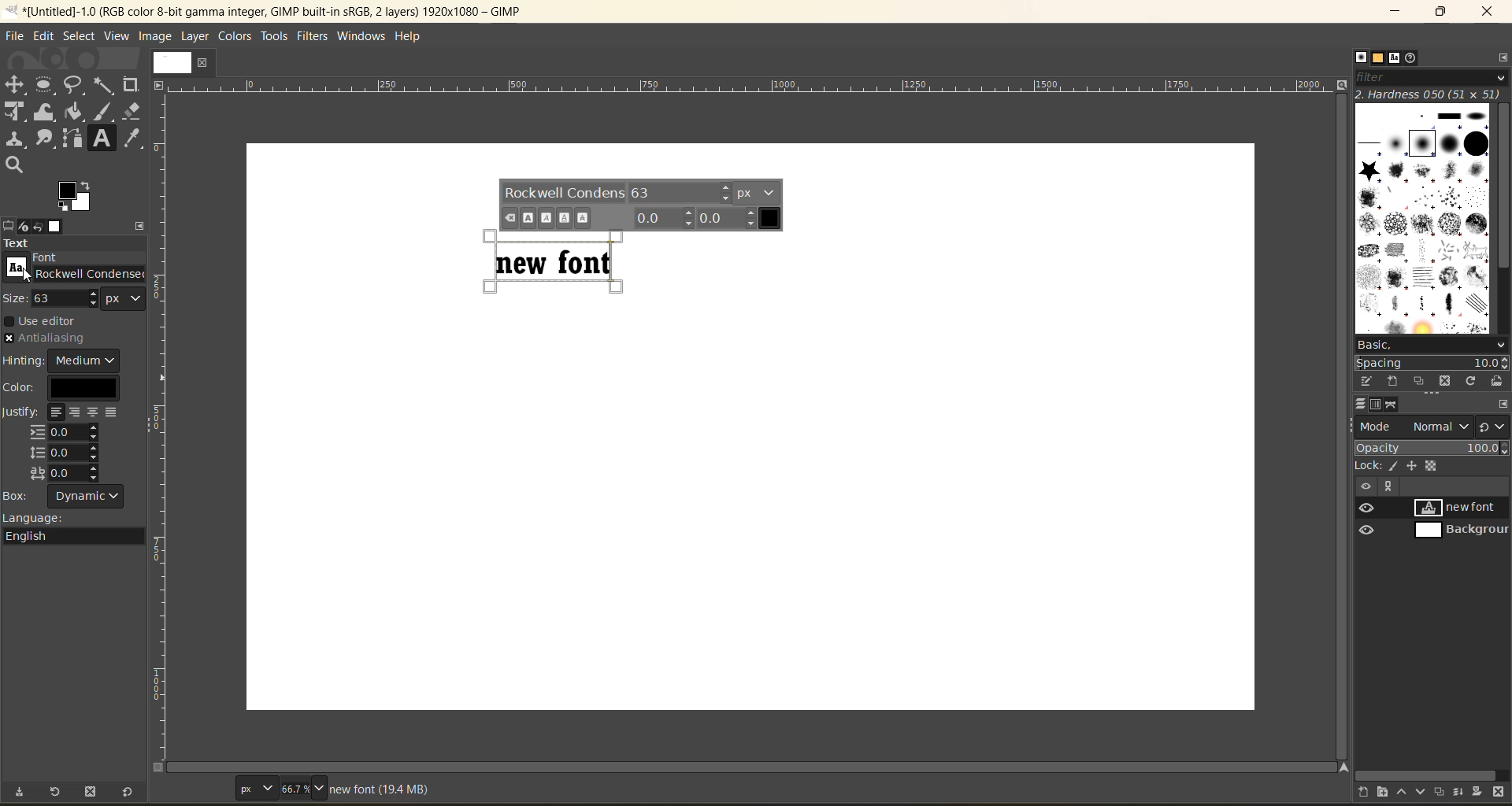  What do you see at coordinates (275, 39) in the screenshot?
I see `tools` at bounding box center [275, 39].